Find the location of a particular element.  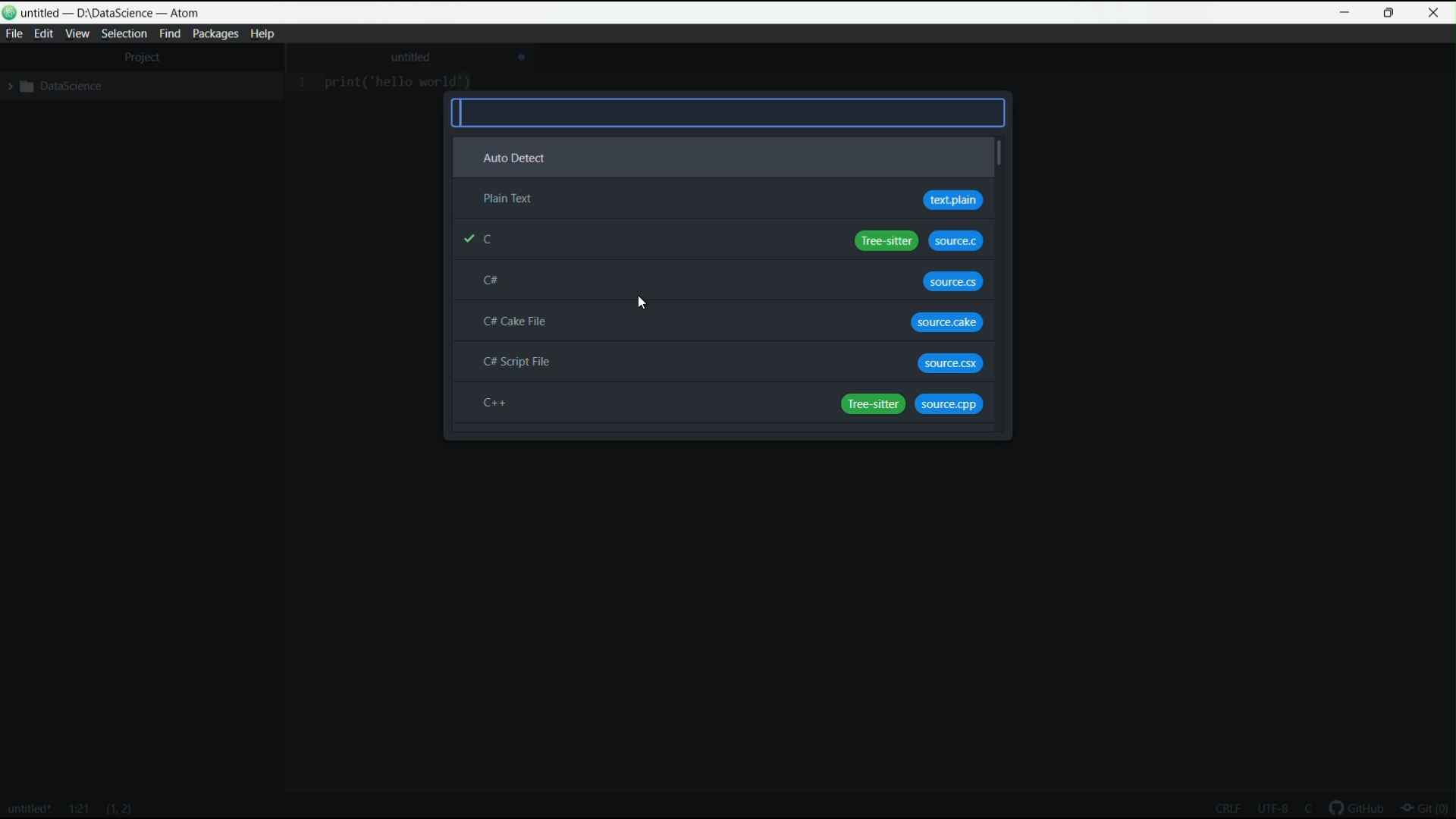

c is located at coordinates (492, 240).